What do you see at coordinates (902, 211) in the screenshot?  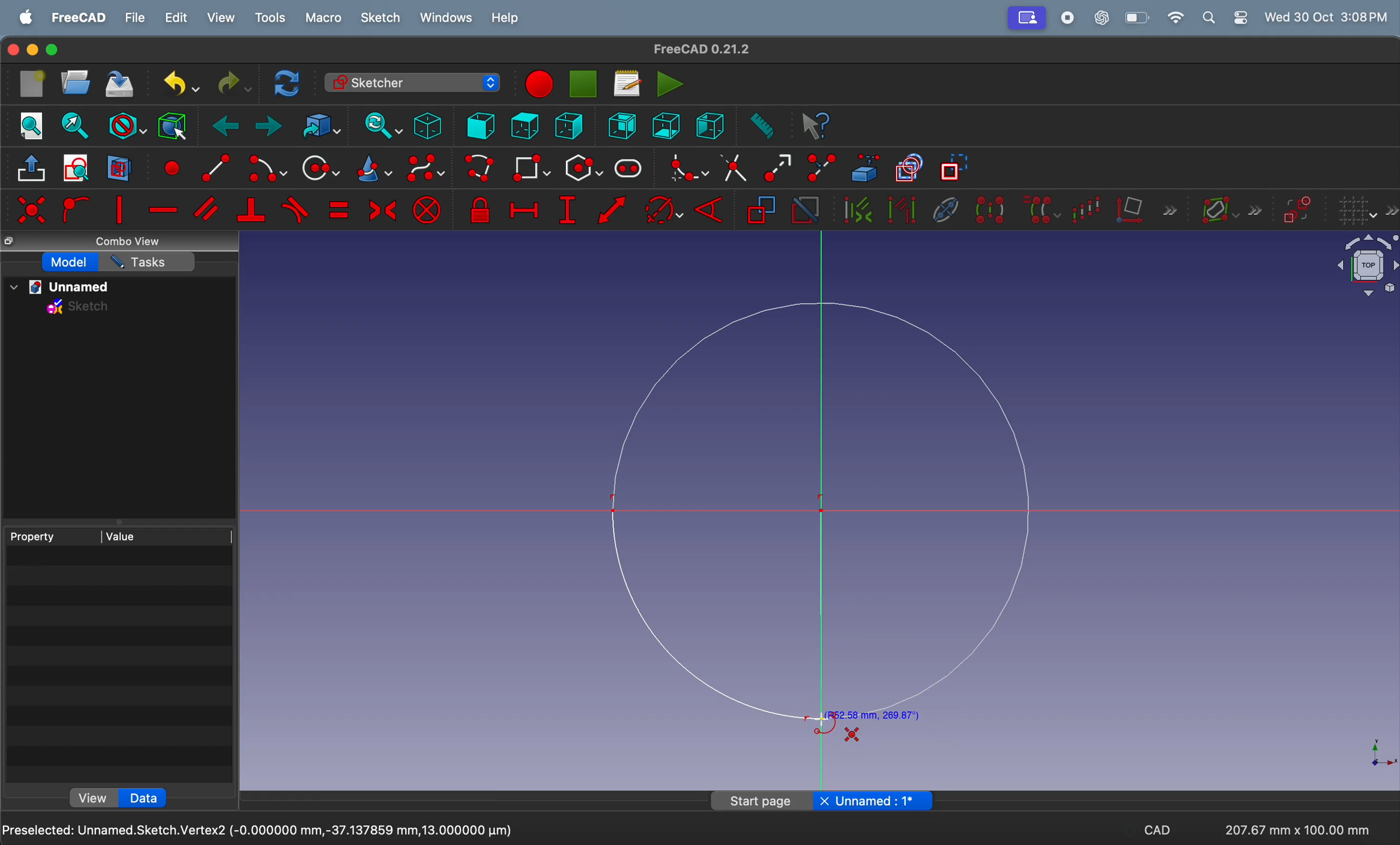 I see `select associated geometry` at bounding box center [902, 211].